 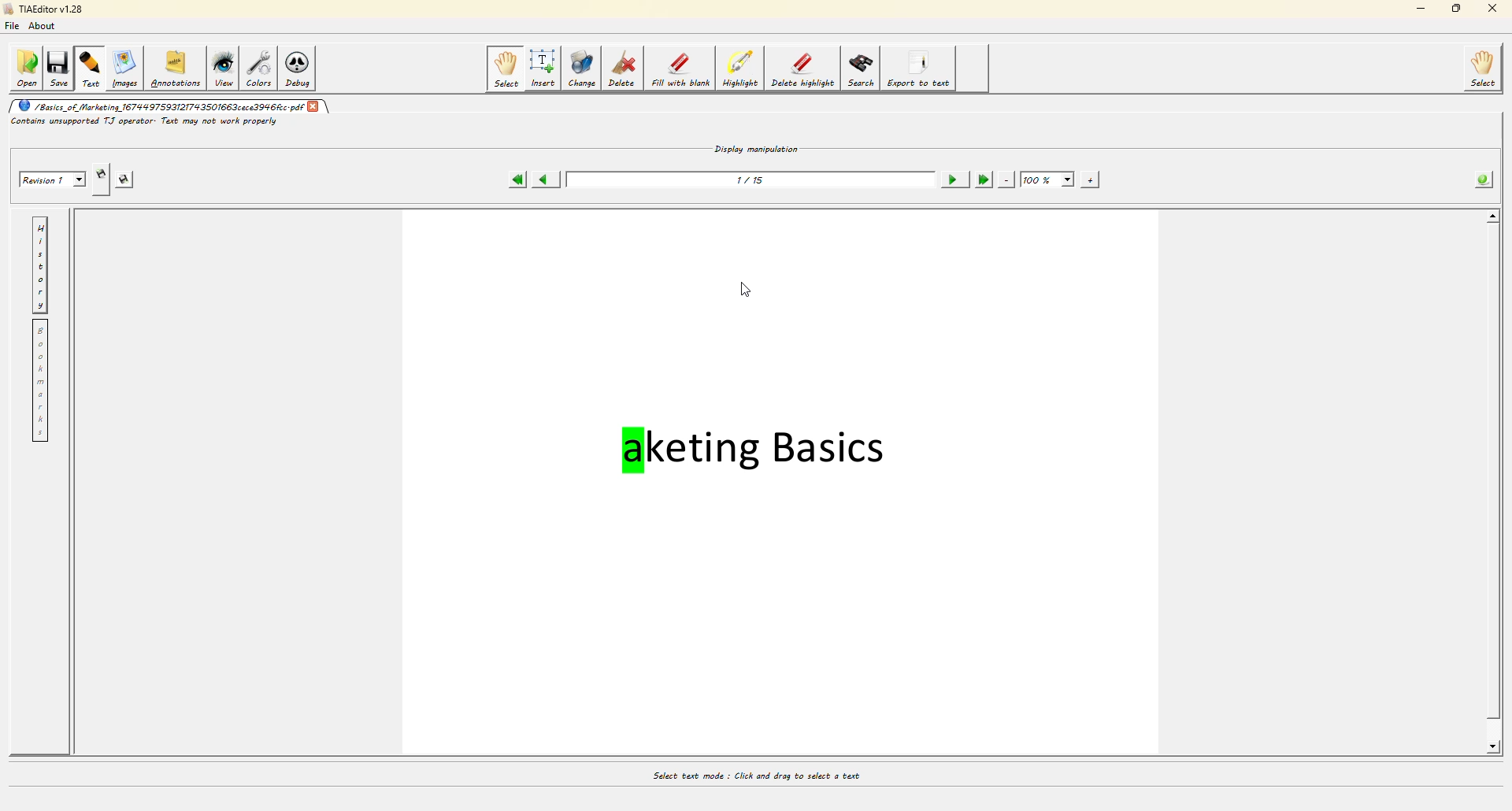 I want to click on export to text, so click(x=923, y=70).